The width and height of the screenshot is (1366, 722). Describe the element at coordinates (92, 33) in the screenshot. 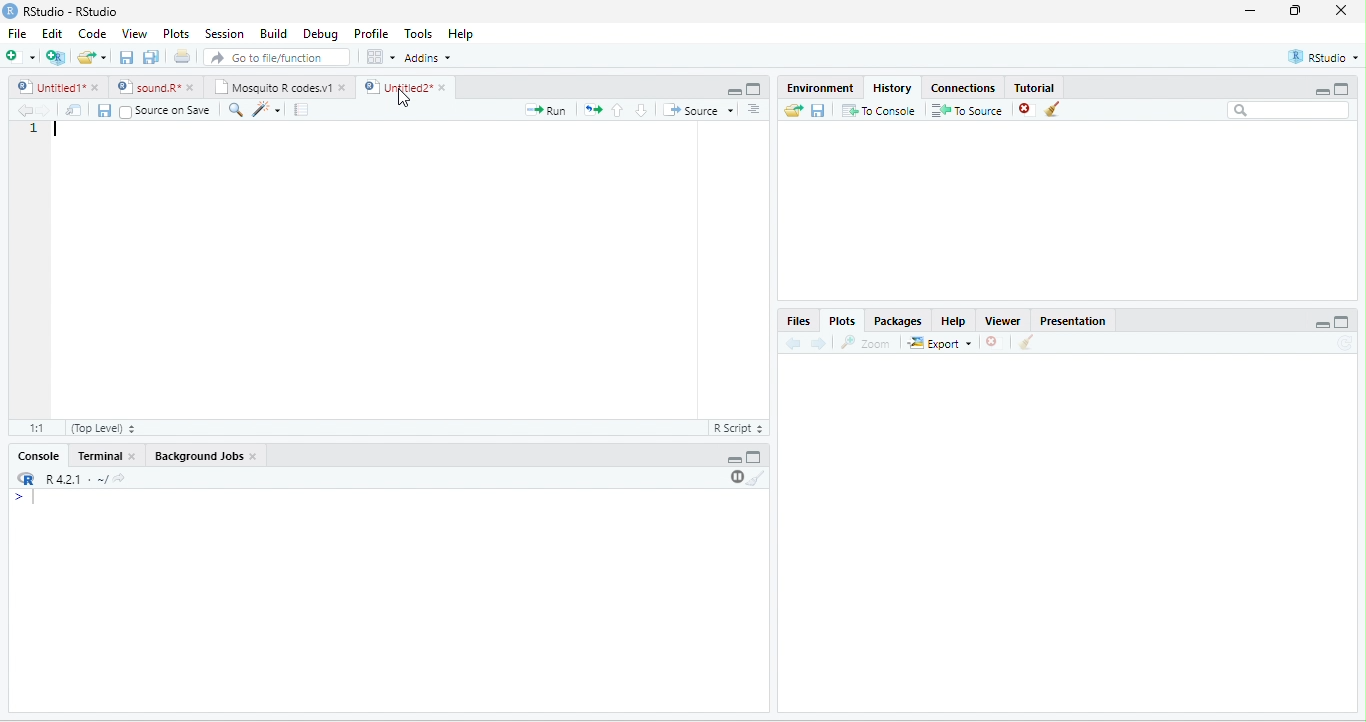

I see `Code` at that location.